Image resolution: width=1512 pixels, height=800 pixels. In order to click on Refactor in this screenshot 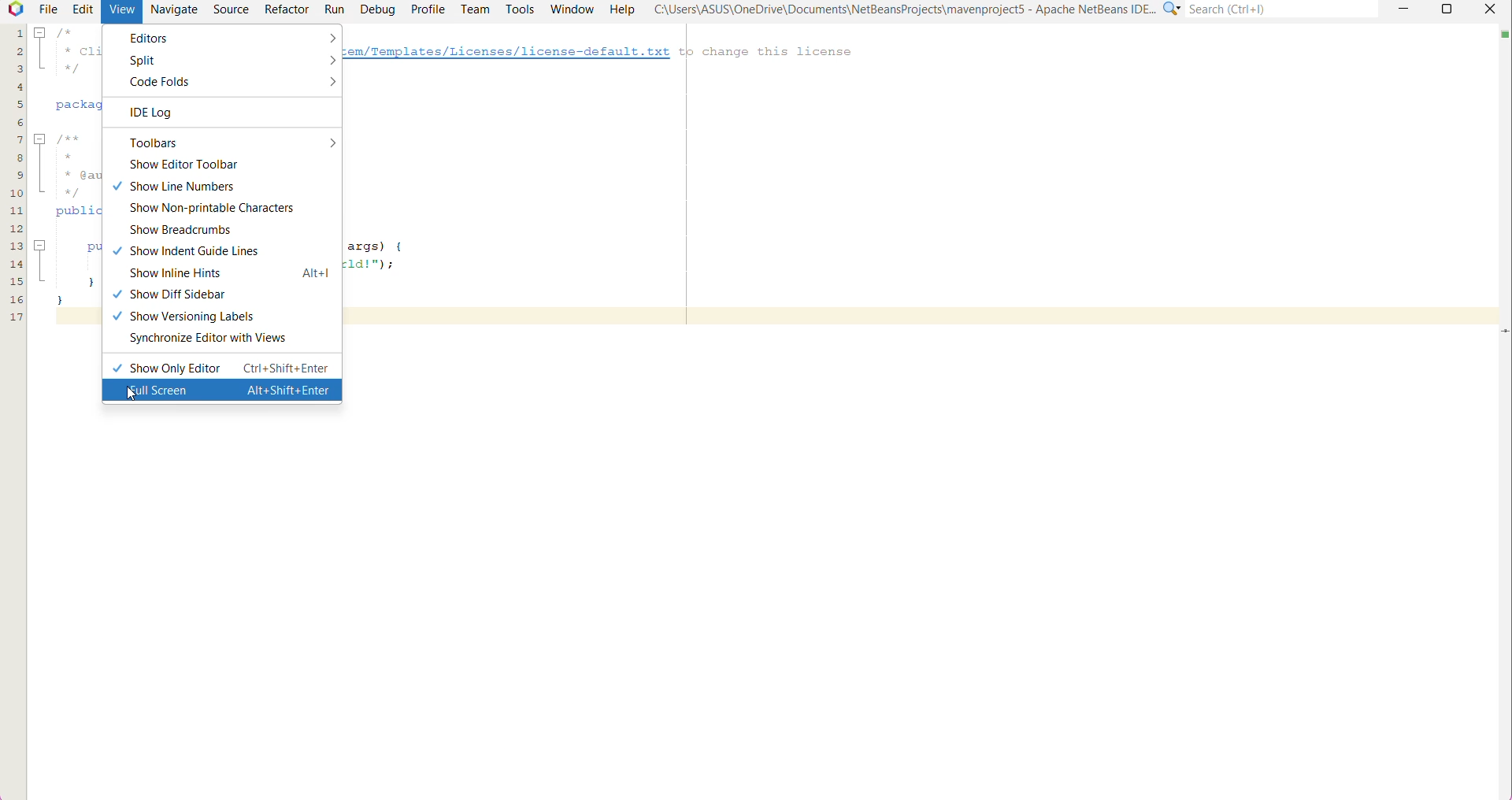, I will do `click(286, 9)`.